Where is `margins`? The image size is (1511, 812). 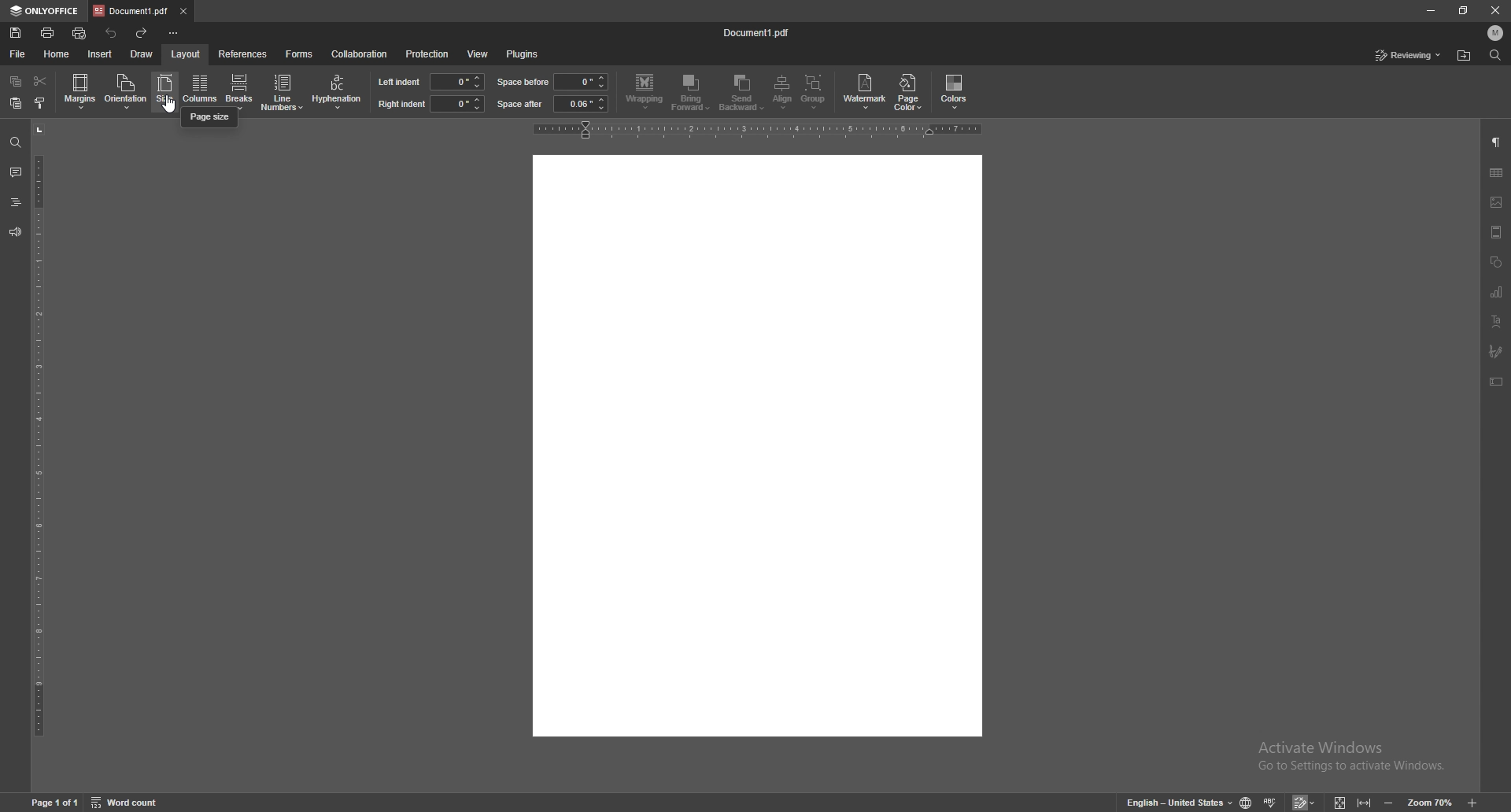 margins is located at coordinates (81, 90).